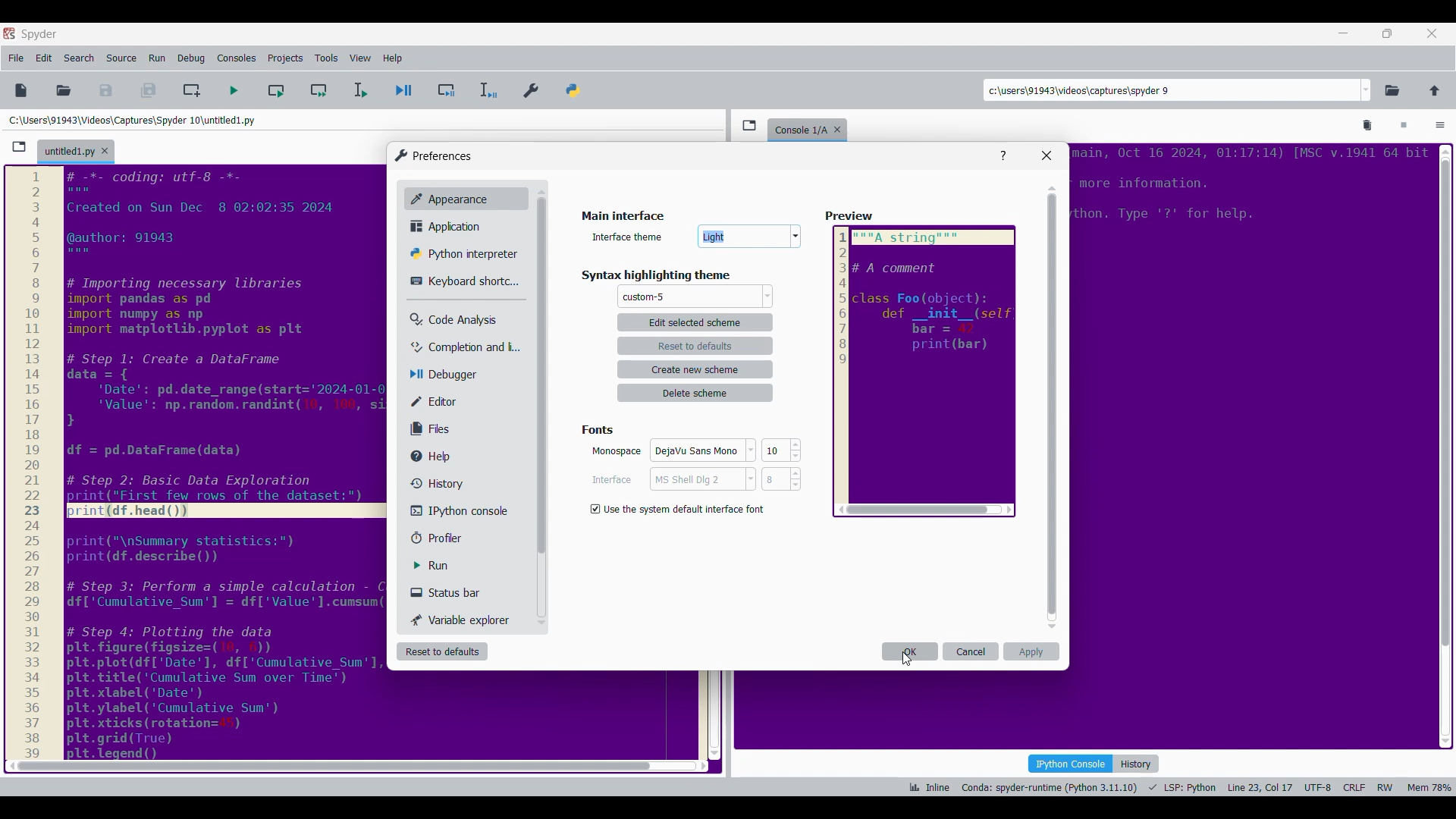 This screenshot has width=1456, height=819. I want to click on Run, so click(442, 566).